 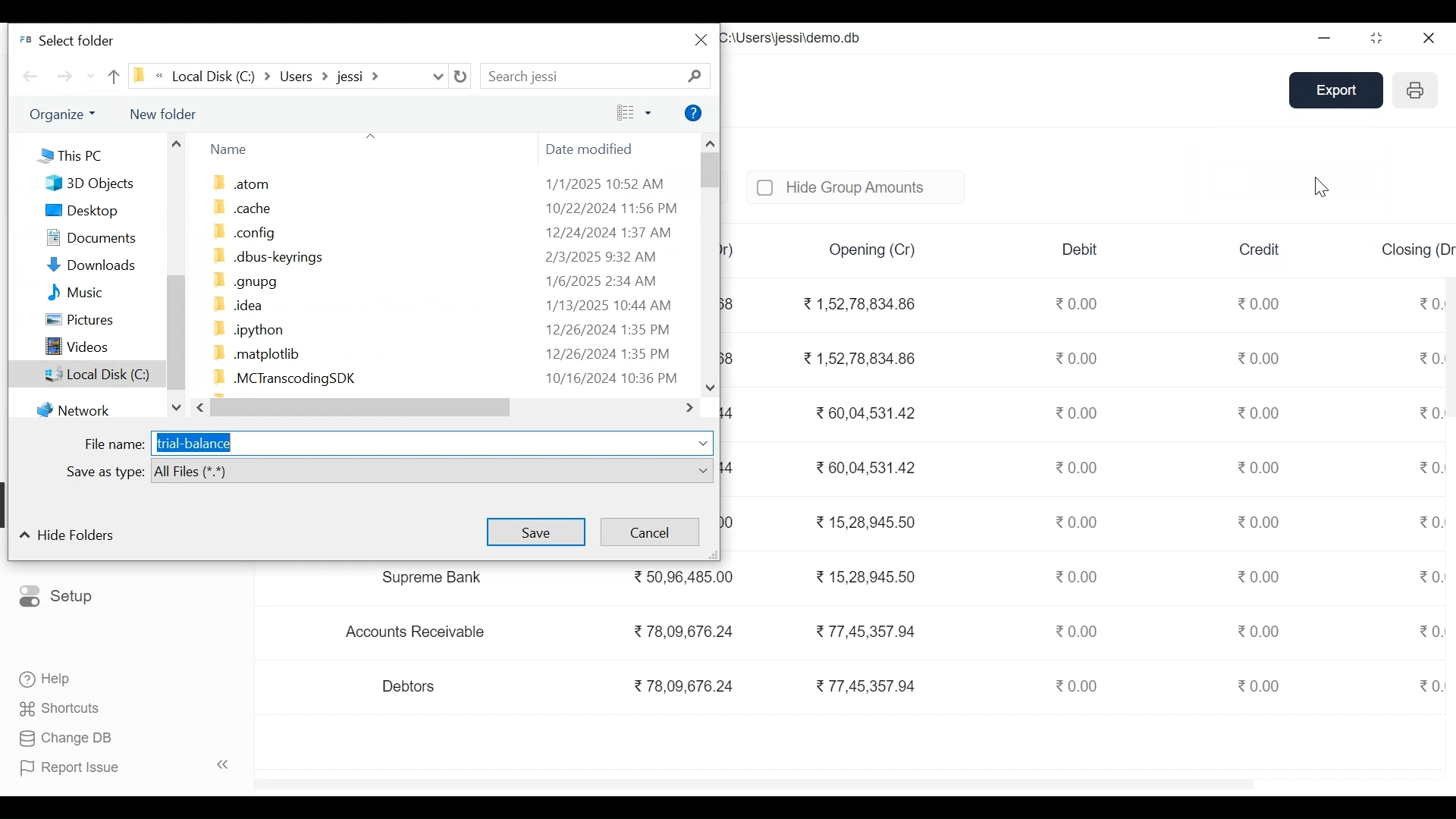 I want to click on 50,96,485.00, so click(x=682, y=576).